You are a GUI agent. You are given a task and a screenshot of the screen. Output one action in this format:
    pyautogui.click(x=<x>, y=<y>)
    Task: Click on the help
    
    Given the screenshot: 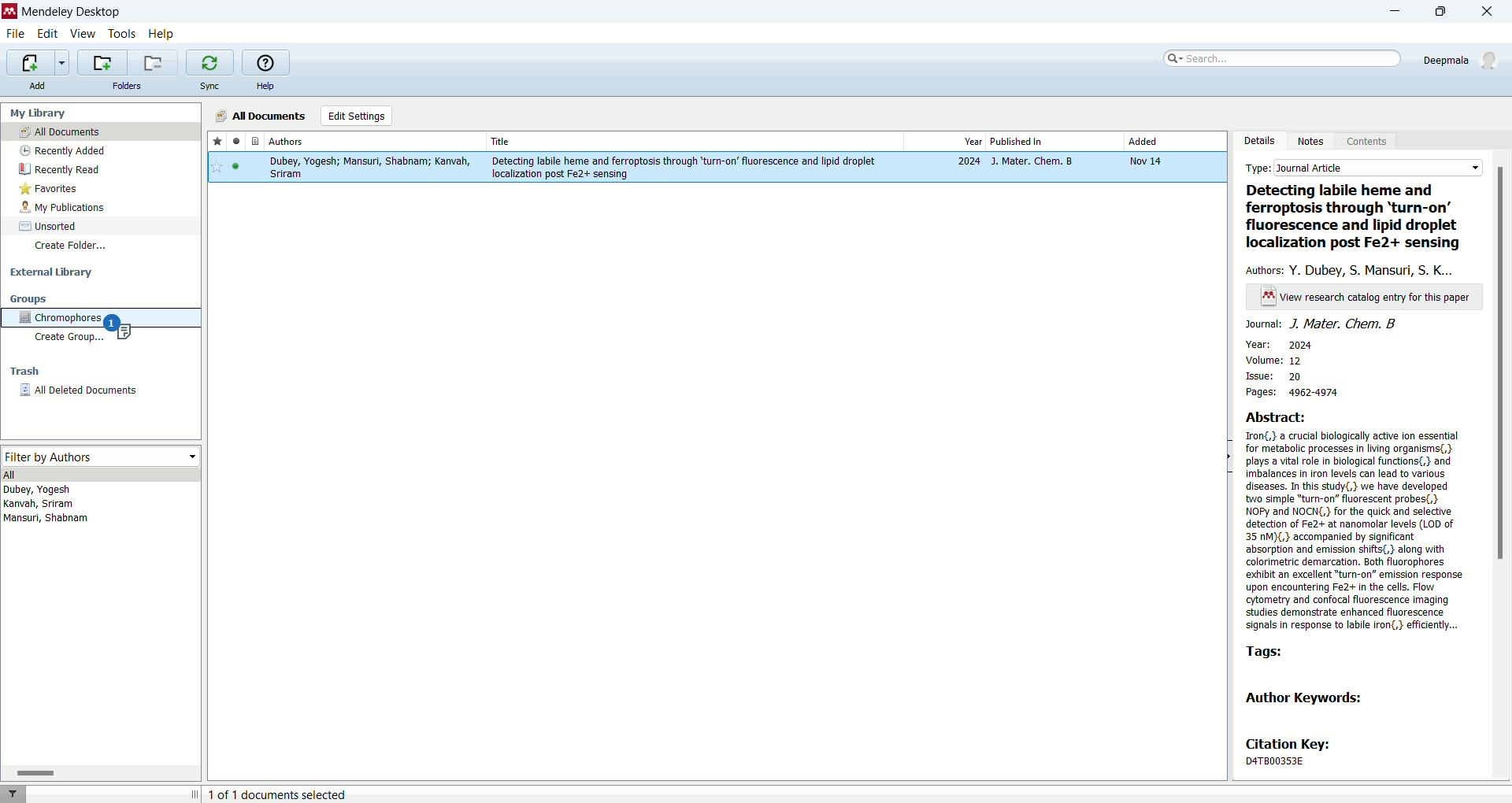 What is the action you would take?
    pyautogui.click(x=161, y=34)
    